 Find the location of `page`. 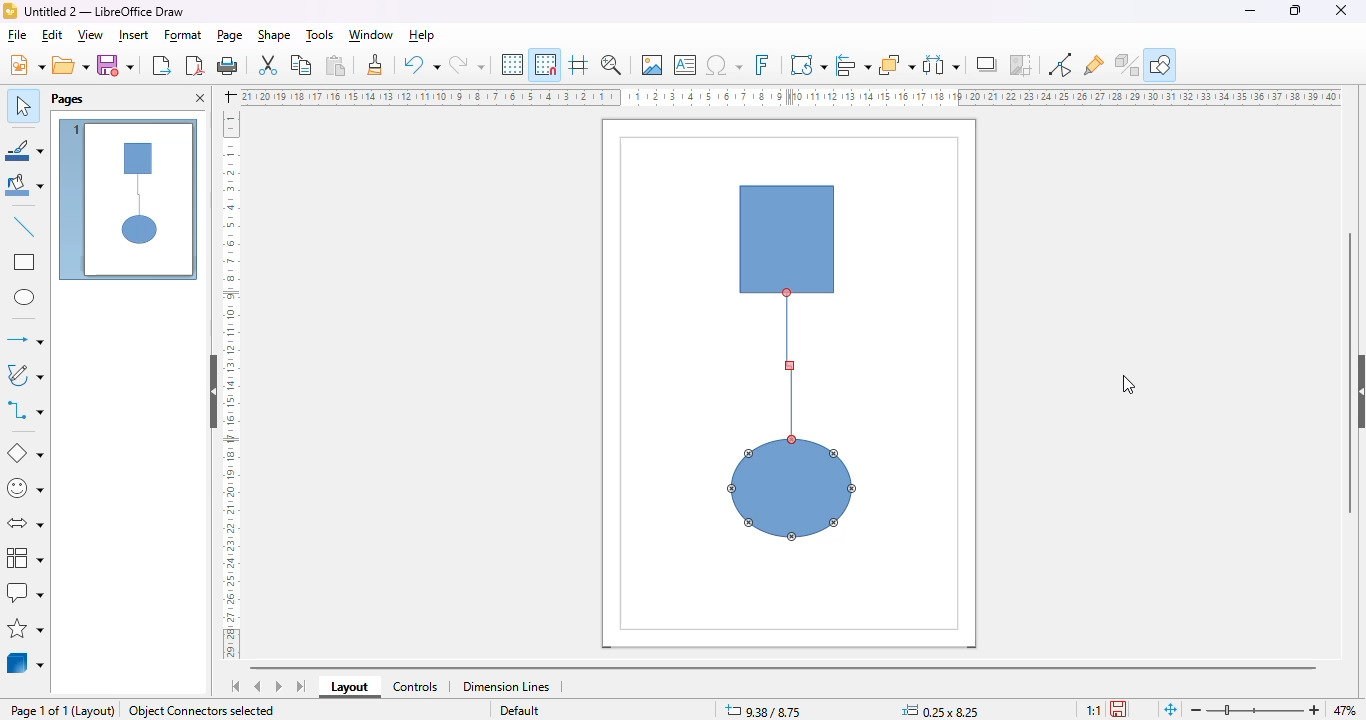

page is located at coordinates (231, 35).